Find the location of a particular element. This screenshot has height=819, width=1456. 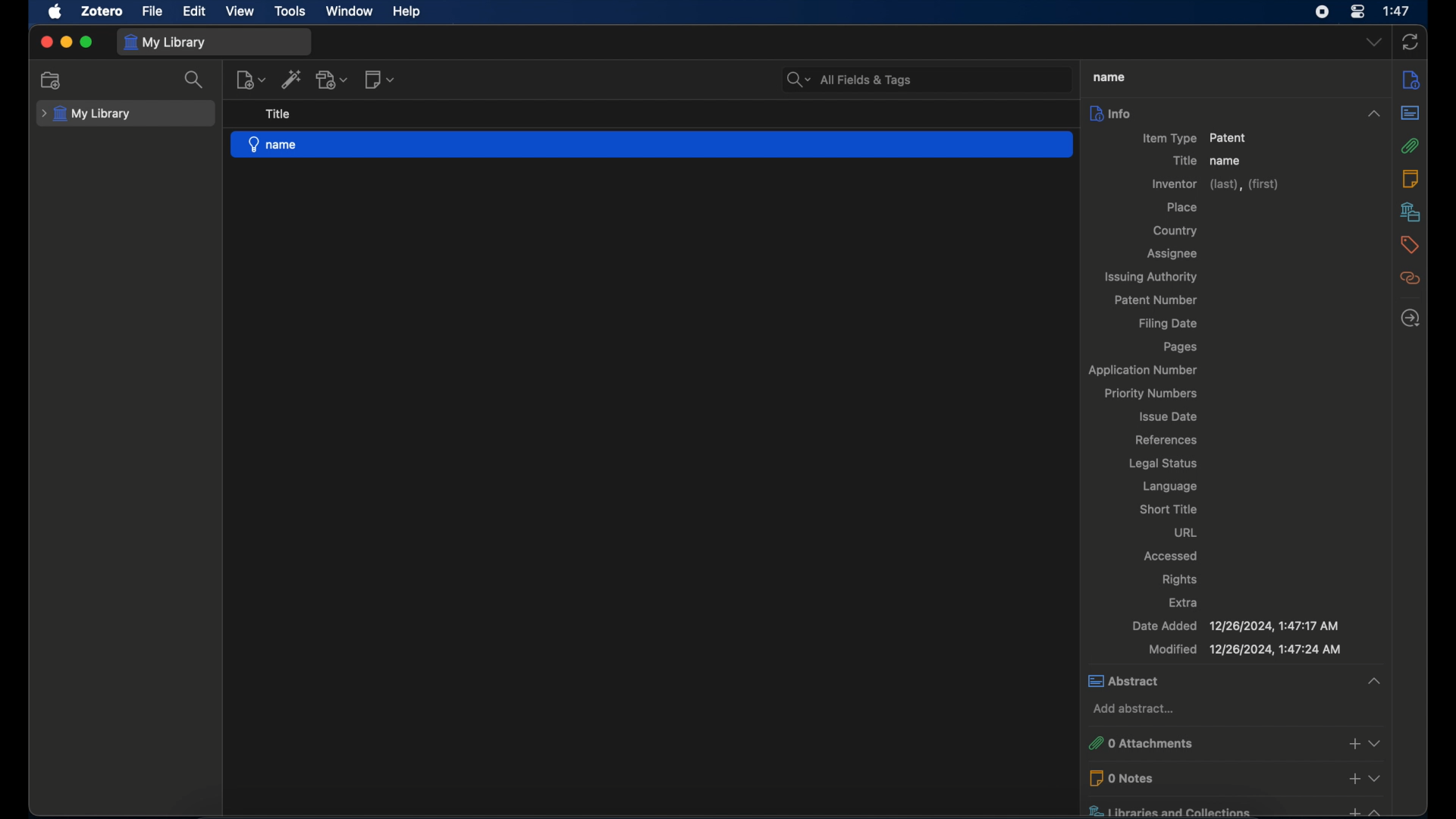

close is located at coordinates (46, 41).